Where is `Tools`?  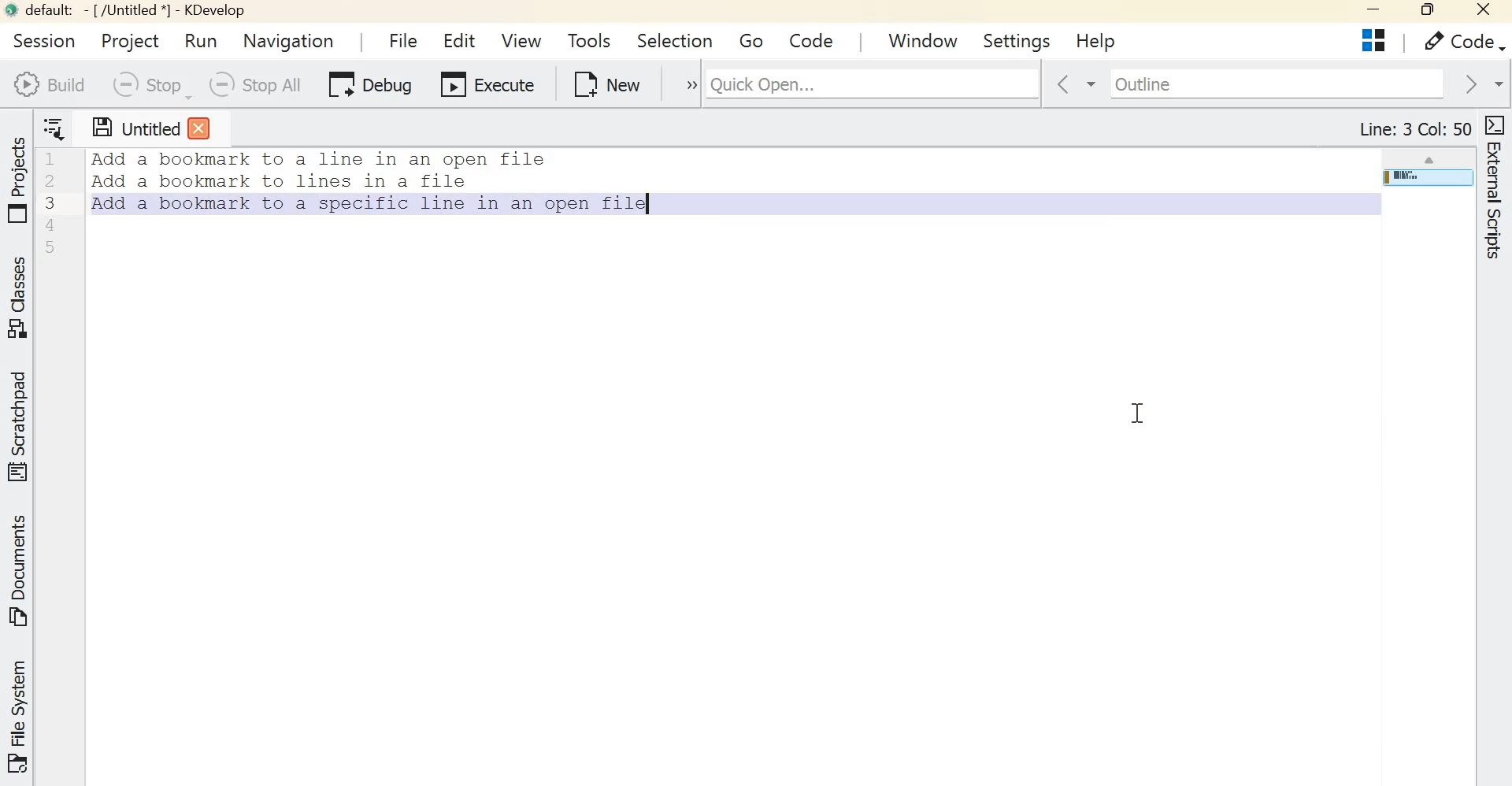 Tools is located at coordinates (587, 40).